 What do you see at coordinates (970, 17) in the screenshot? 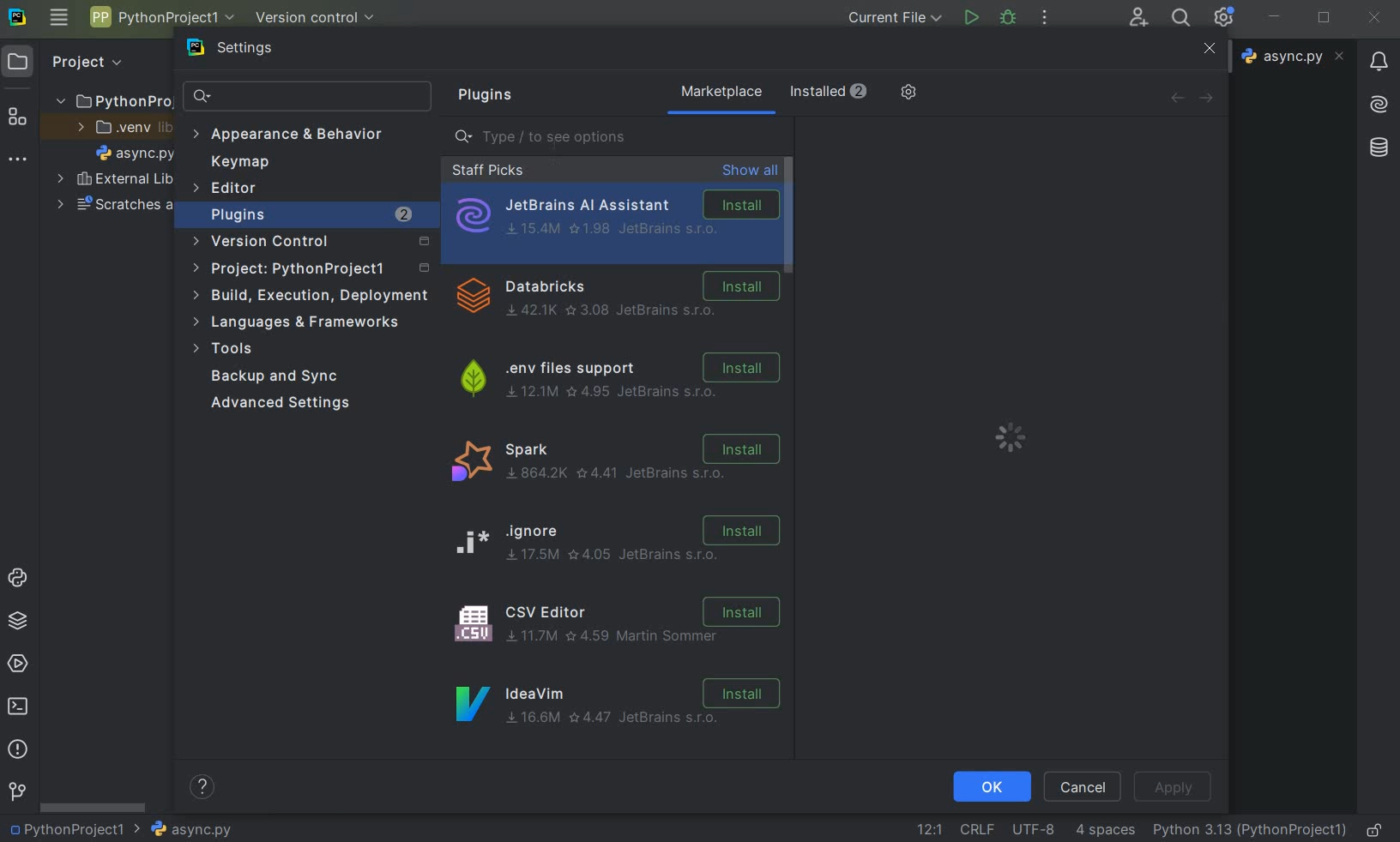
I see `run` at bounding box center [970, 17].